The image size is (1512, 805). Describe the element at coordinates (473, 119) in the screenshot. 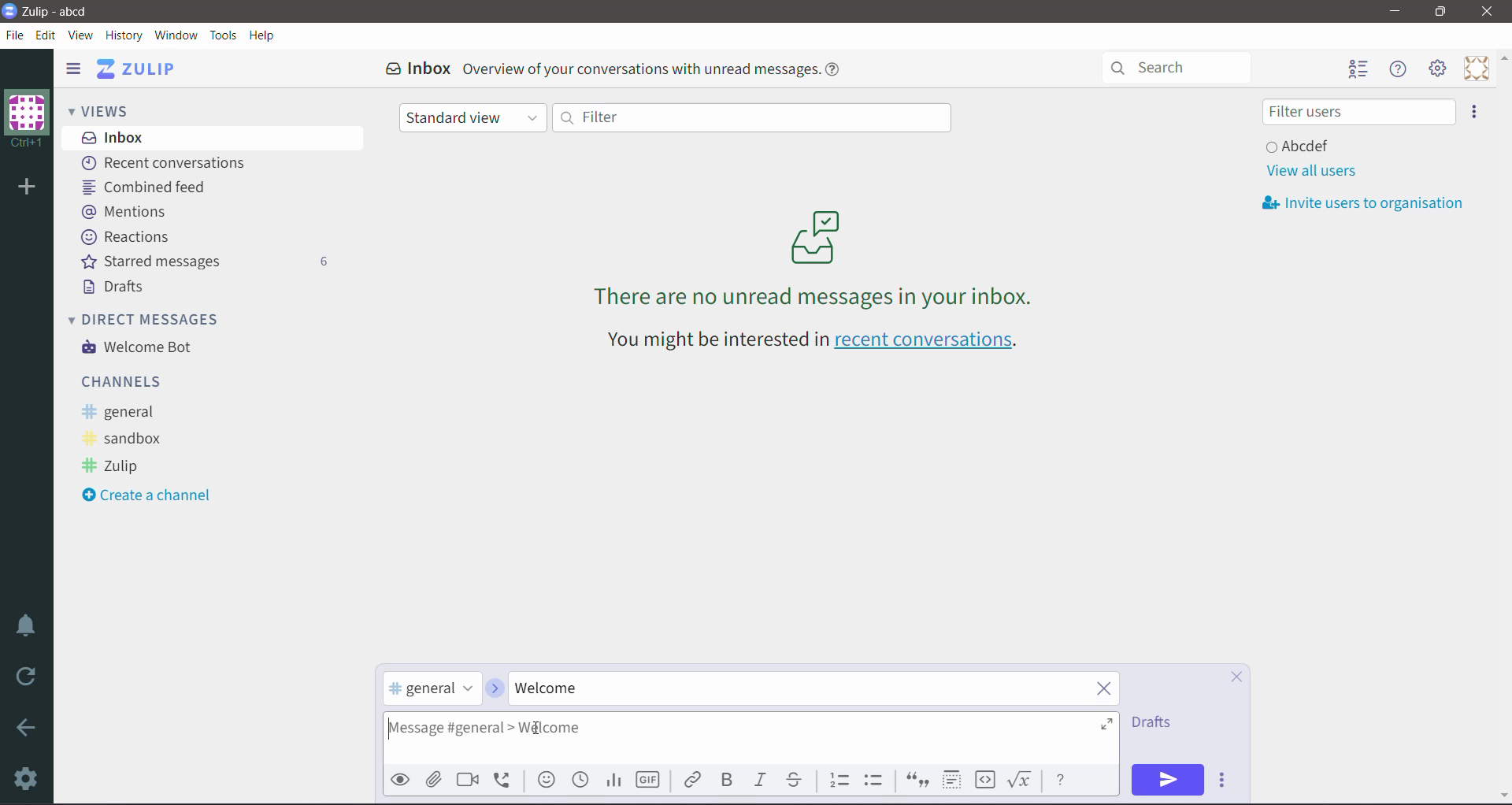

I see `Standard view` at that location.